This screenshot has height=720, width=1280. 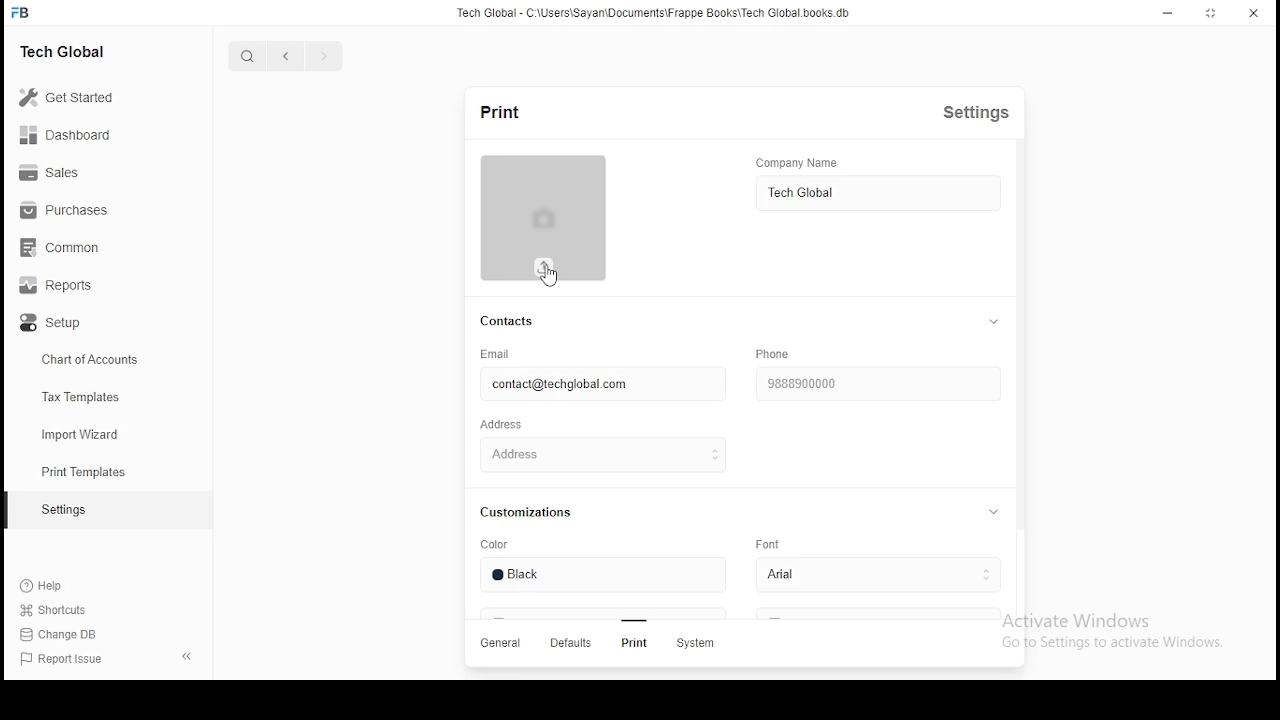 What do you see at coordinates (508, 426) in the screenshot?
I see `‘Address` at bounding box center [508, 426].